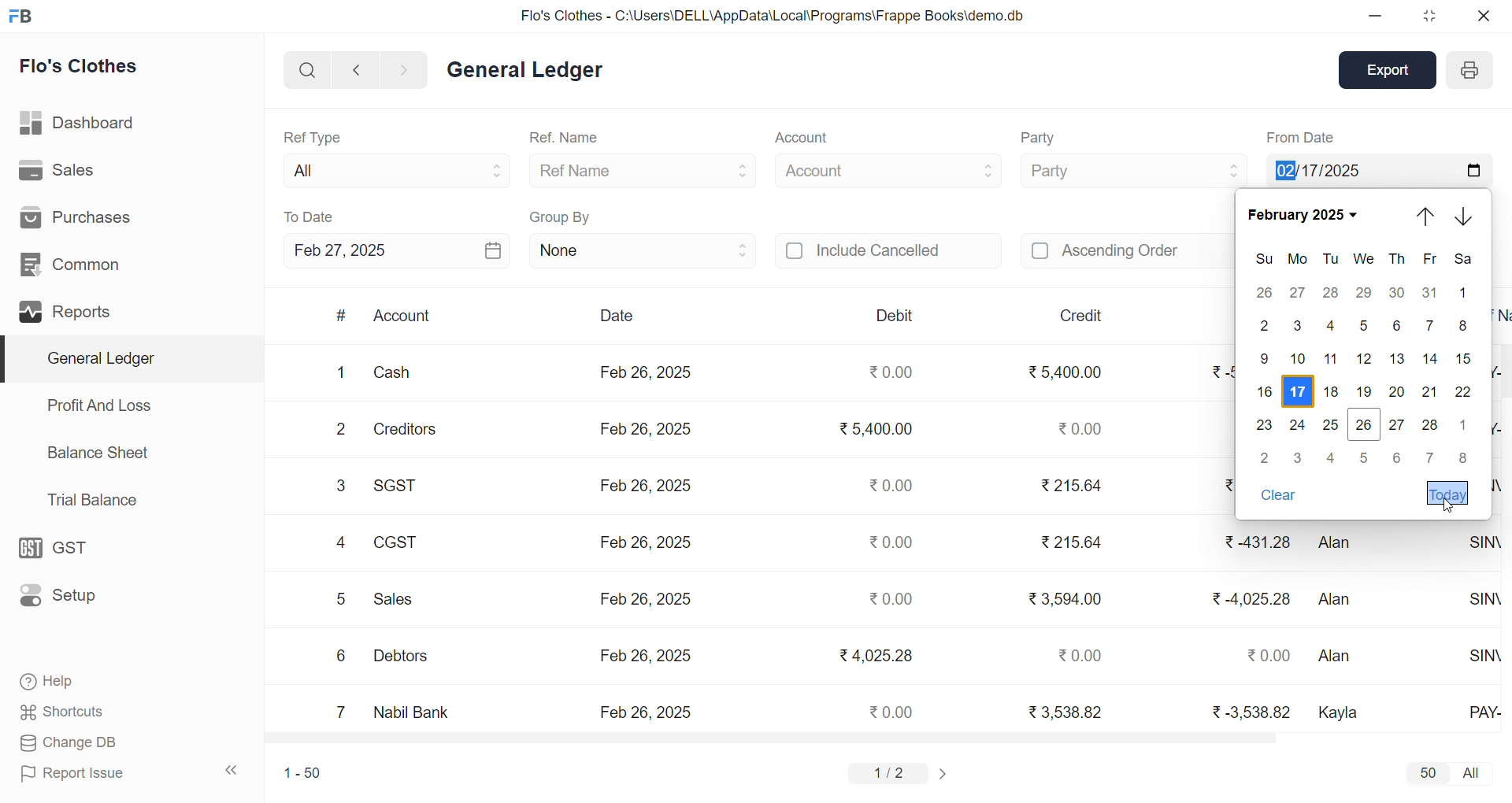 This screenshot has width=1512, height=803. Describe the element at coordinates (561, 215) in the screenshot. I see `Group By` at that location.